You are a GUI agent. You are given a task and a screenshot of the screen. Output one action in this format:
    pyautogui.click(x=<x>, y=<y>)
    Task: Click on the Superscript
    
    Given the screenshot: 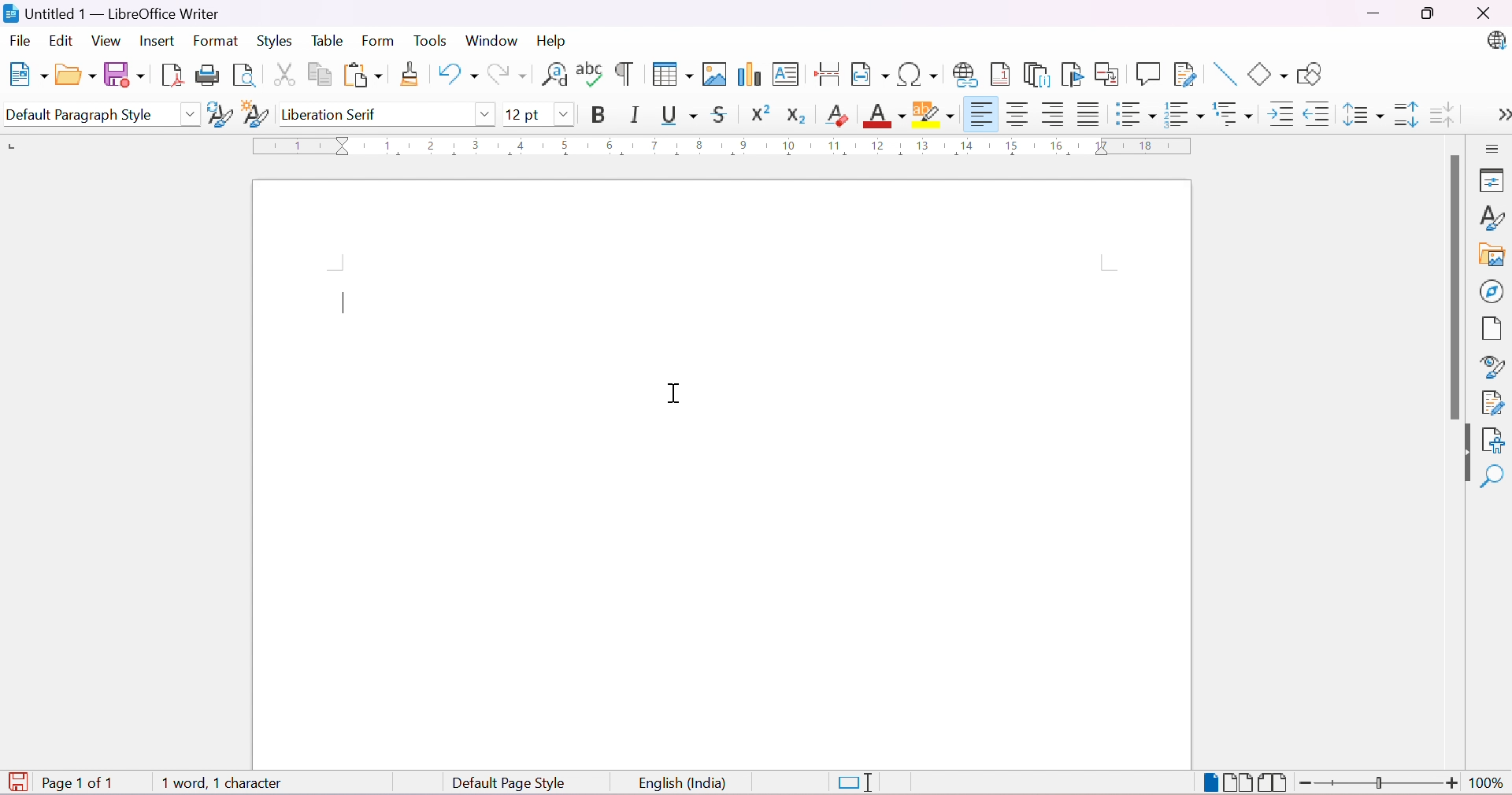 What is the action you would take?
    pyautogui.click(x=757, y=113)
    